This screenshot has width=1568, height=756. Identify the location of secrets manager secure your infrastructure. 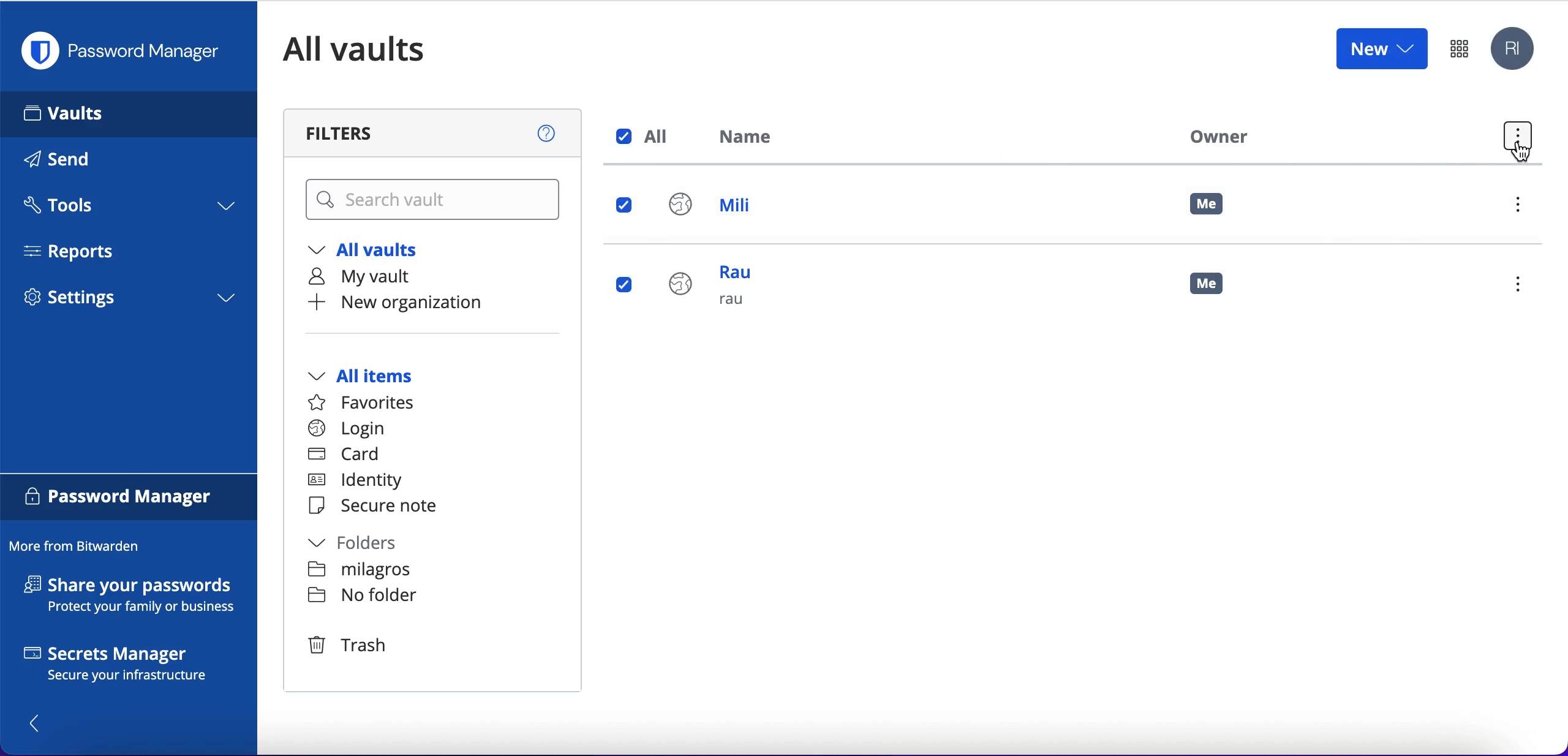
(129, 667).